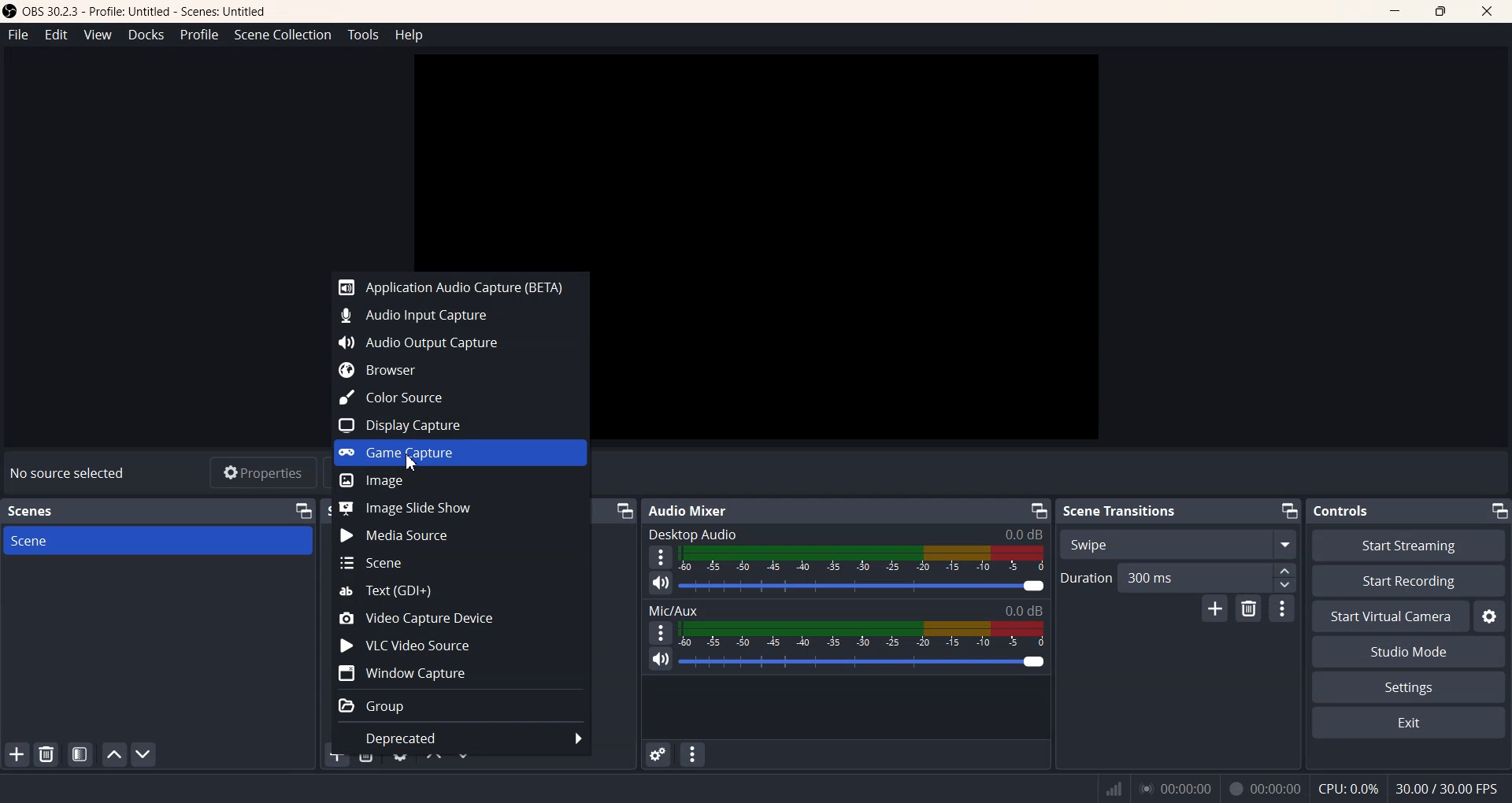  I want to click on Close, so click(1487, 12).